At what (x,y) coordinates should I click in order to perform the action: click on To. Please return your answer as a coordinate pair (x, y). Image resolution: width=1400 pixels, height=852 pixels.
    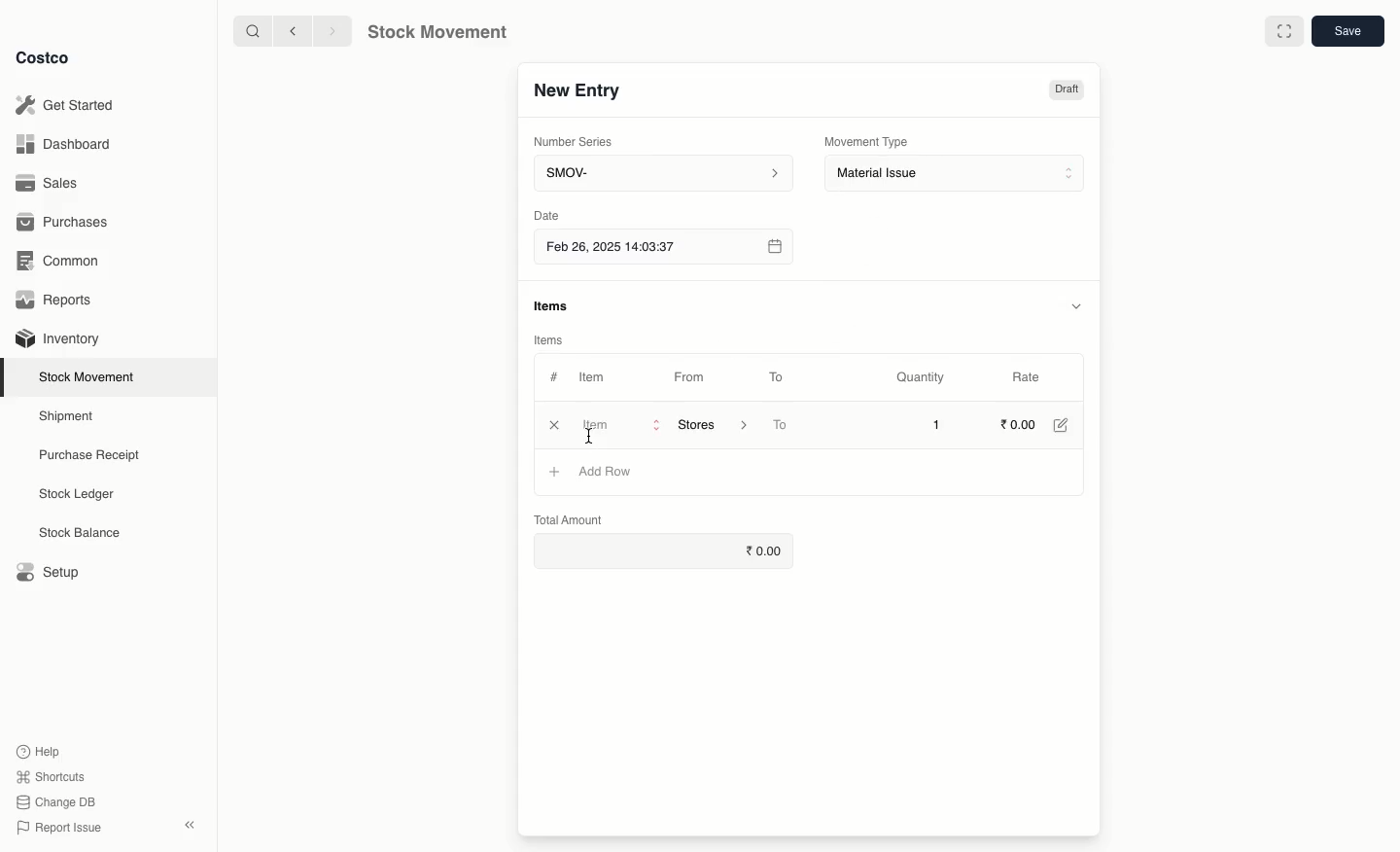
    Looking at the image, I should click on (782, 426).